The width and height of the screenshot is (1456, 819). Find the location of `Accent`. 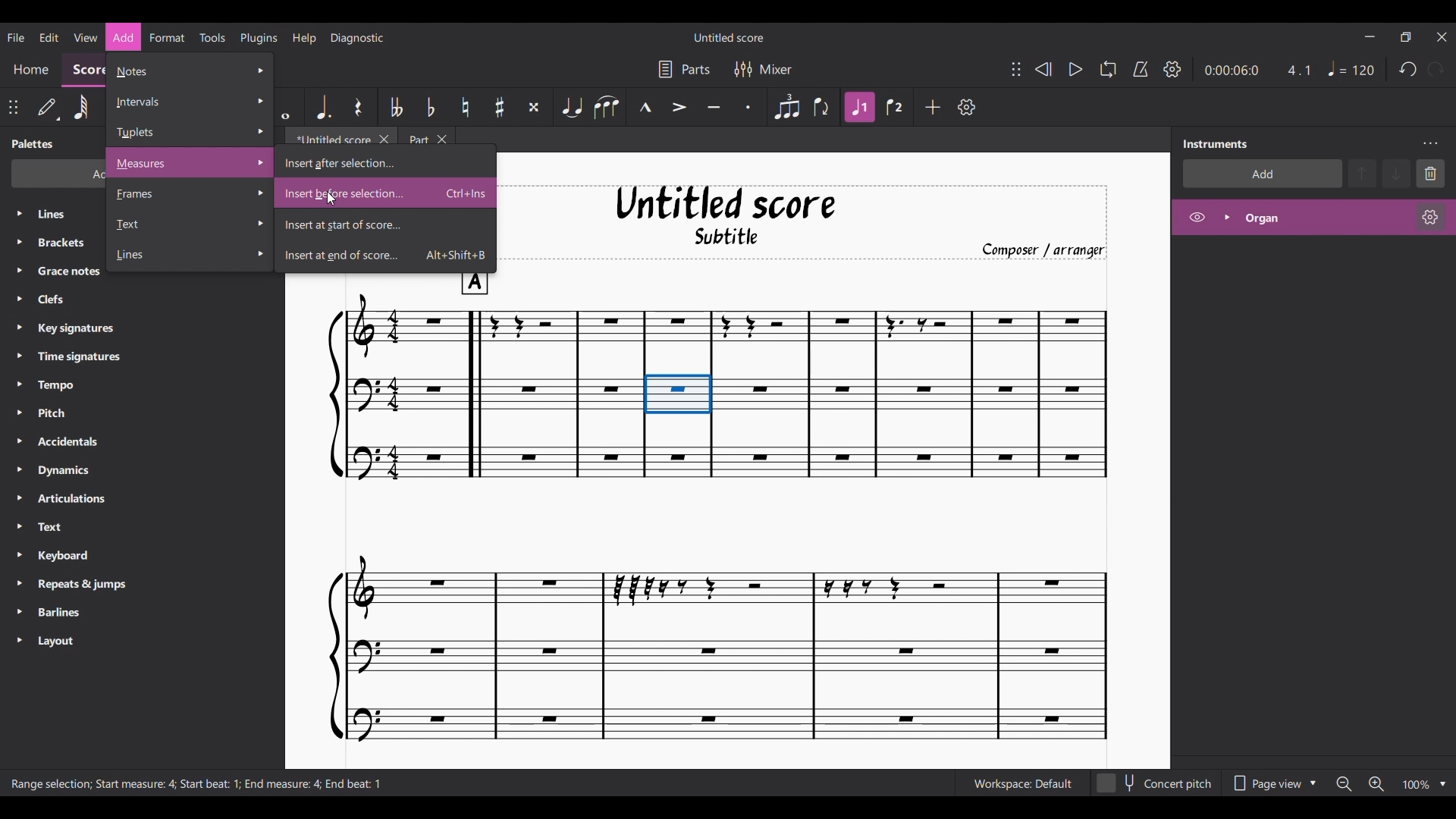

Accent is located at coordinates (679, 108).